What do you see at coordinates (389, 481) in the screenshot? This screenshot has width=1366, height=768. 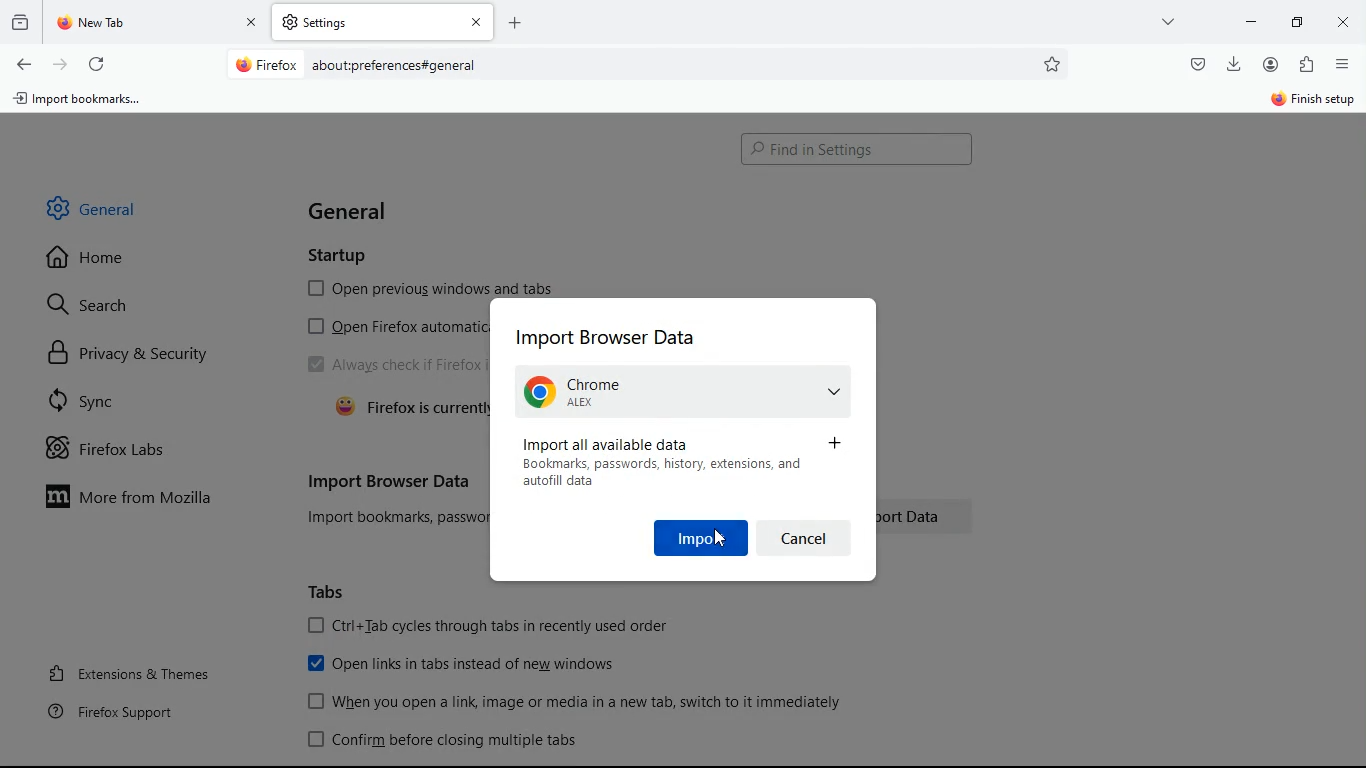 I see `import browser data` at bounding box center [389, 481].